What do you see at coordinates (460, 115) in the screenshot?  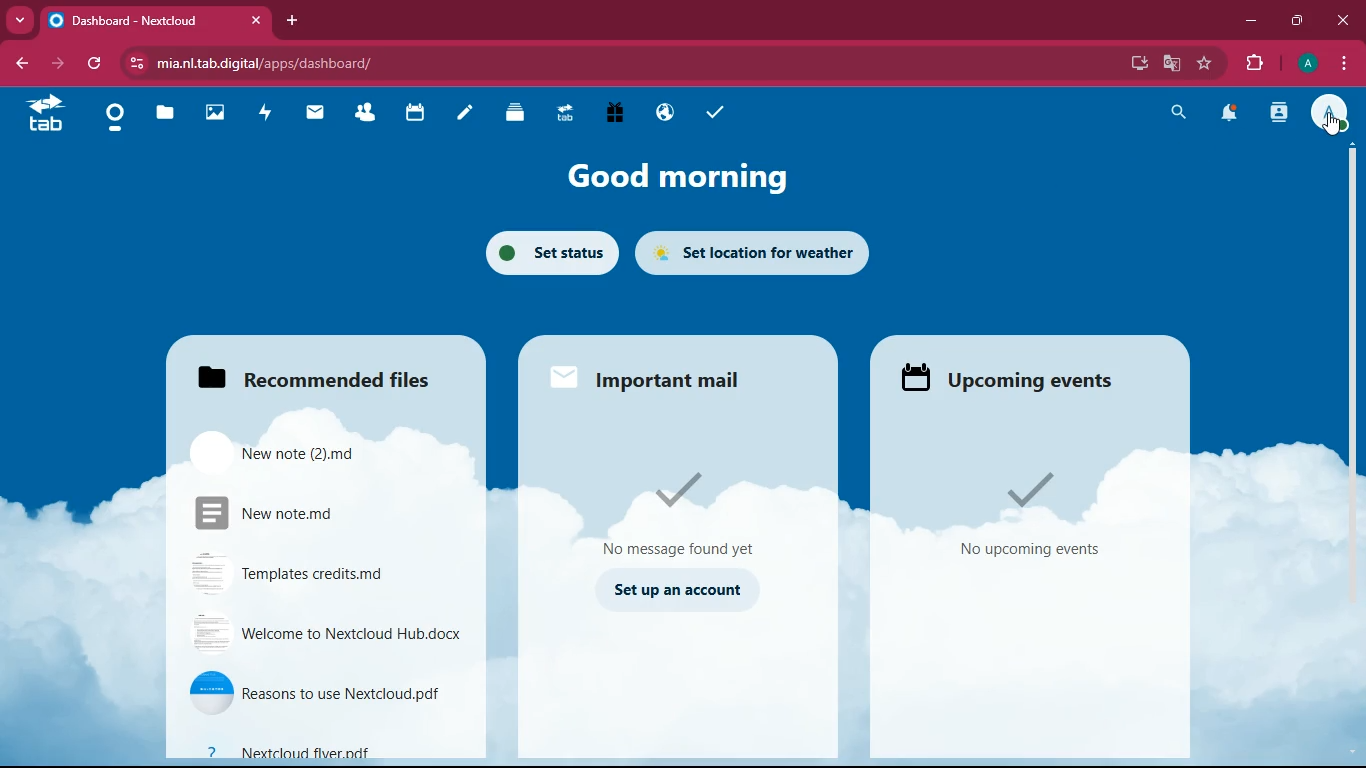 I see `notes` at bounding box center [460, 115].